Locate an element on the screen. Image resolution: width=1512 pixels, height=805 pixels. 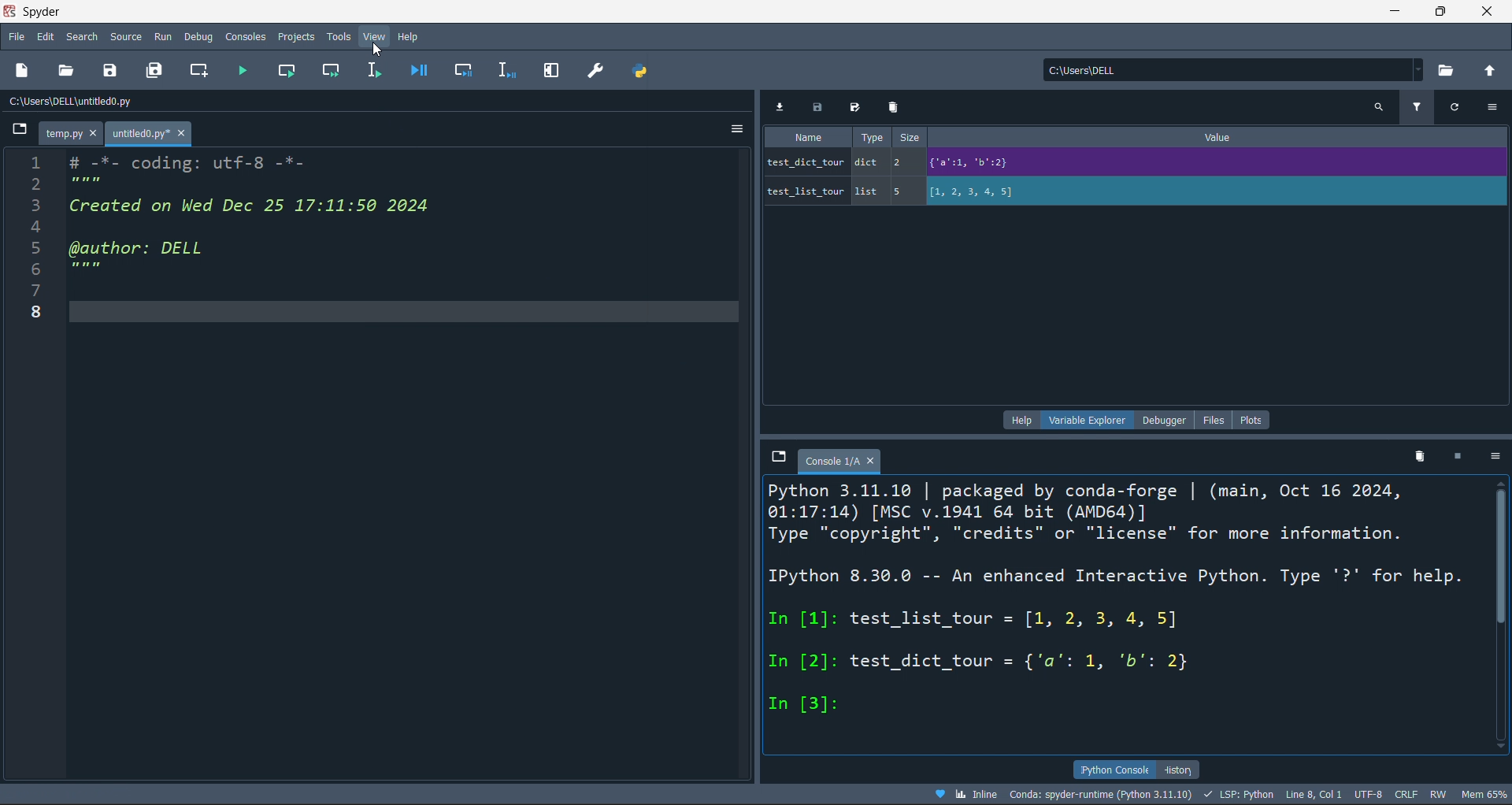
run cell is located at coordinates (287, 72).